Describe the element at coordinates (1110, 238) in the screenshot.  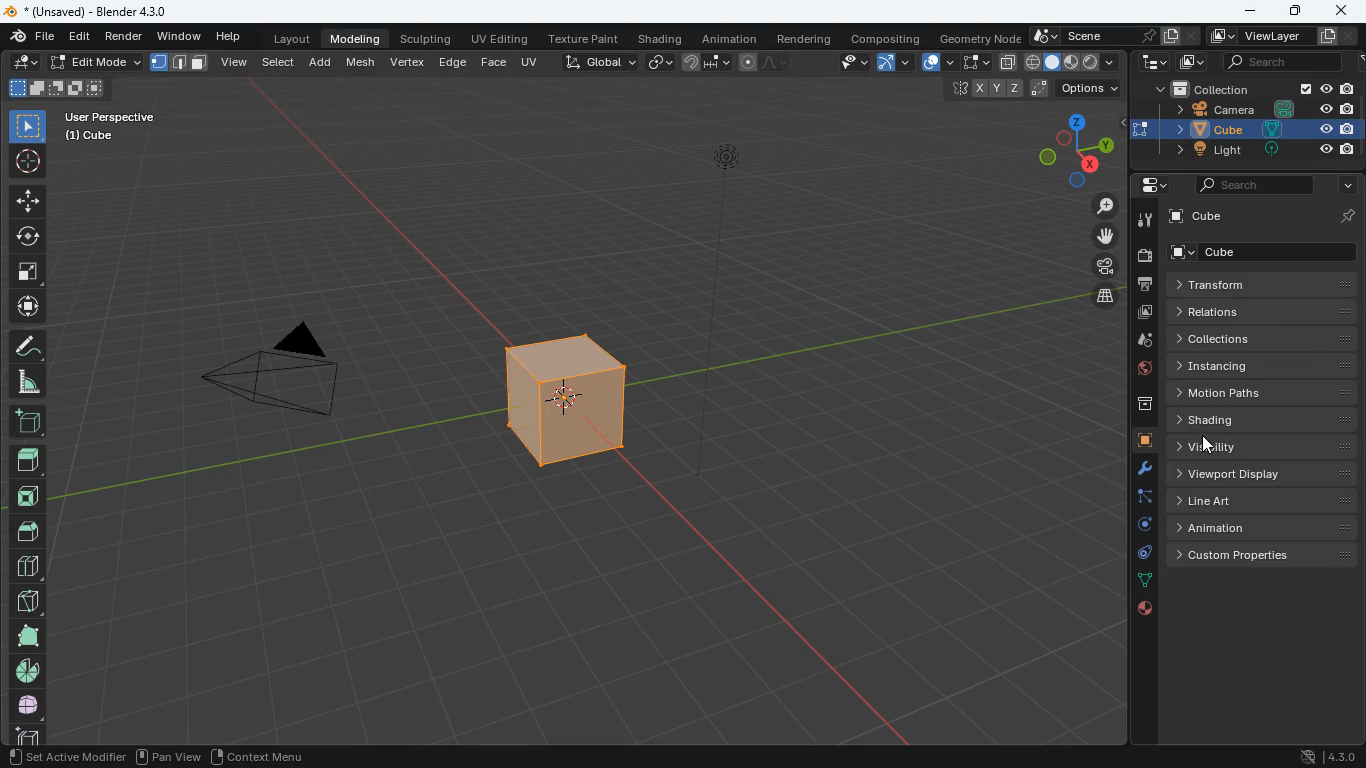
I see `move` at that location.